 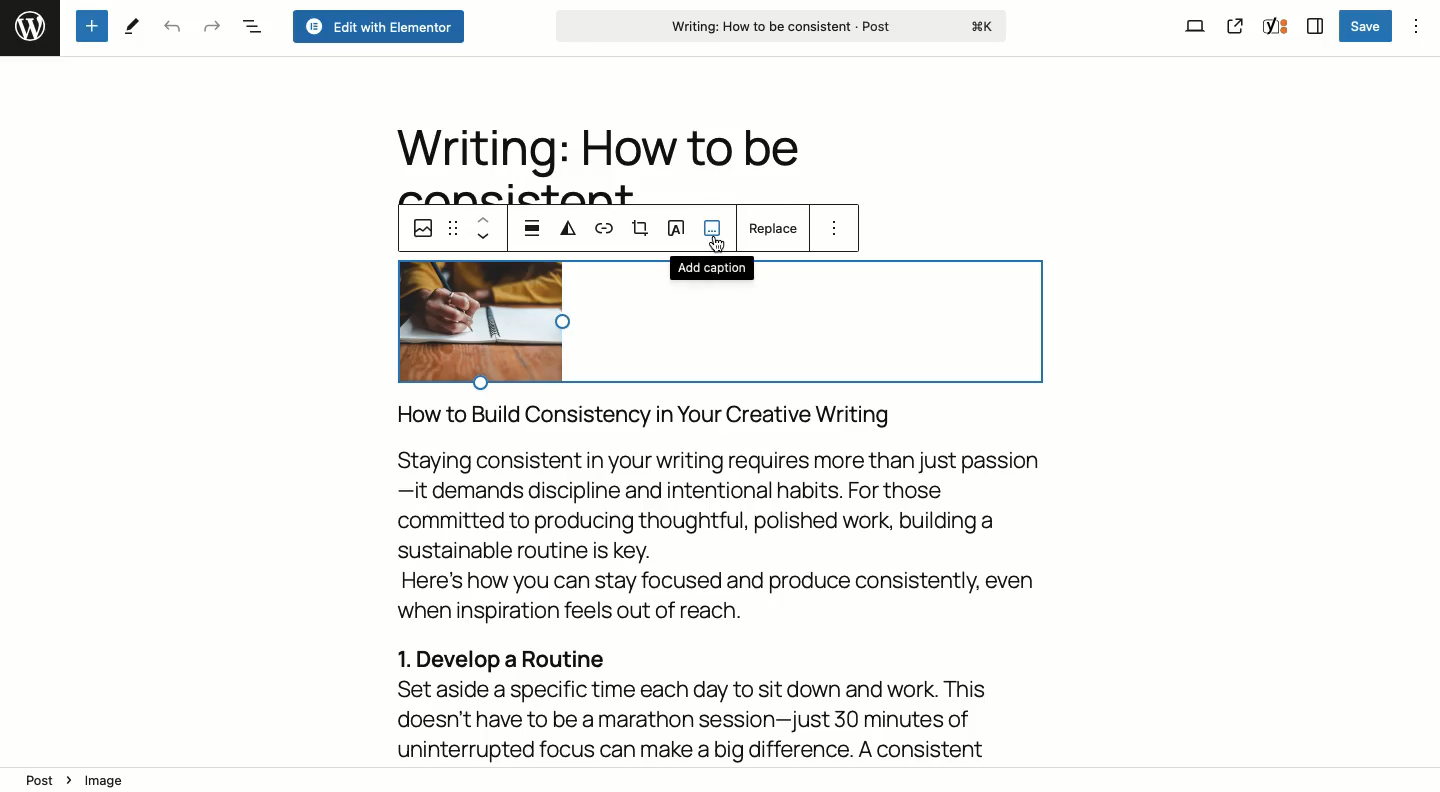 What do you see at coordinates (710, 266) in the screenshot?
I see `Add caption` at bounding box center [710, 266].